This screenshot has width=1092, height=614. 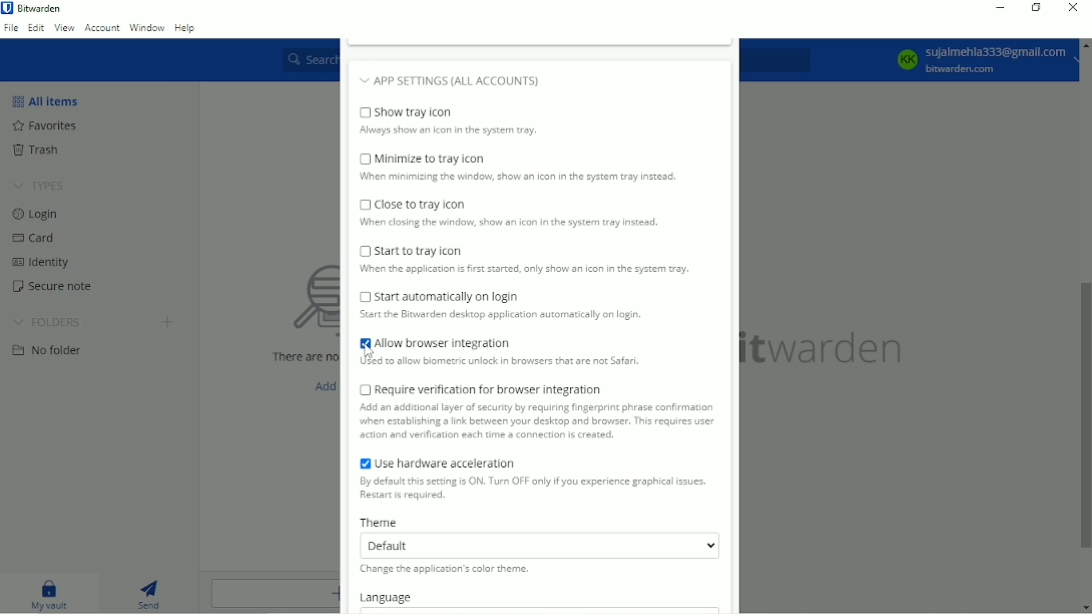 What do you see at coordinates (433, 342) in the screenshot?
I see `Allow browser integration` at bounding box center [433, 342].